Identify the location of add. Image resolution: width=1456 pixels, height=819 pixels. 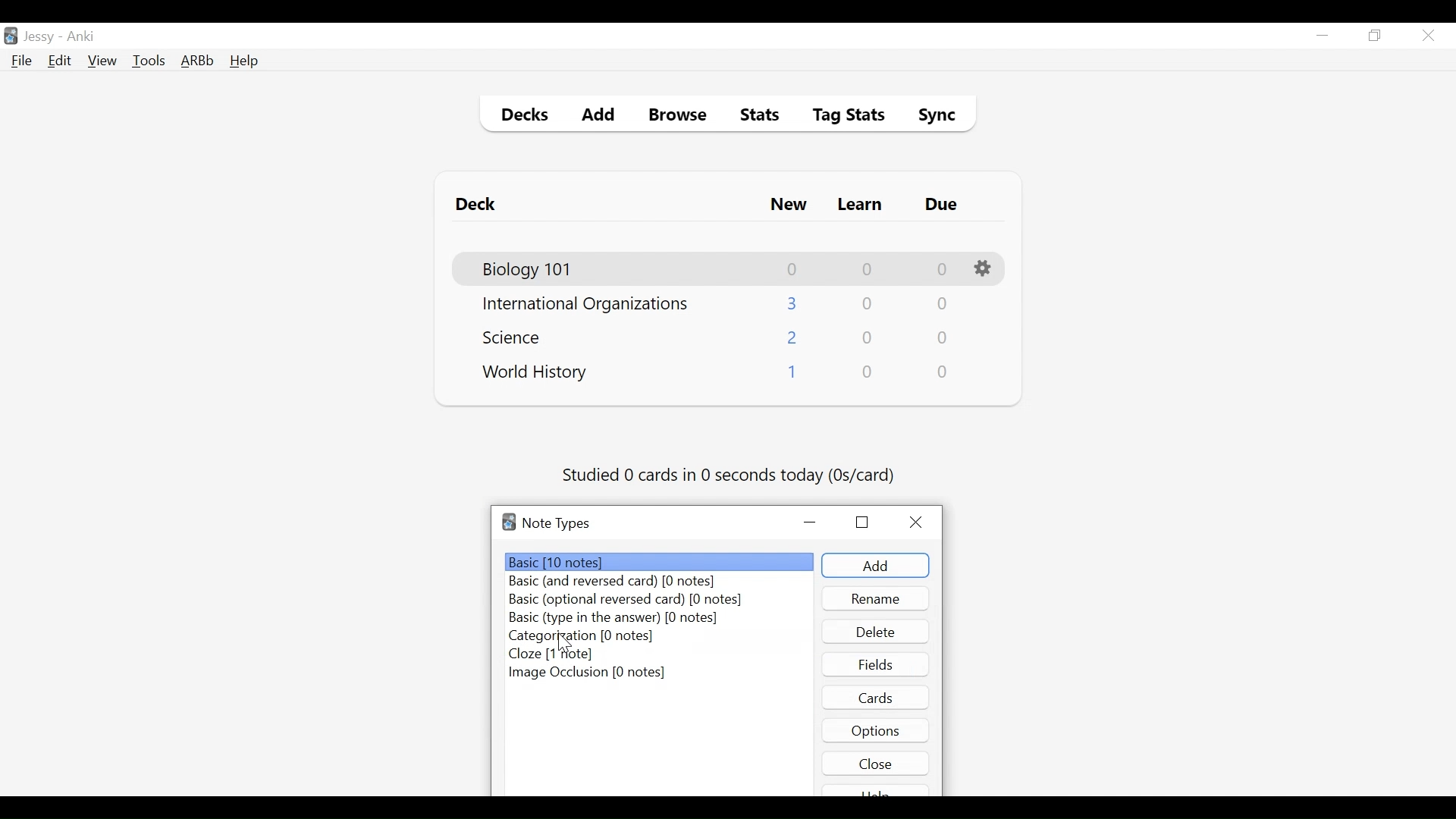
(875, 566).